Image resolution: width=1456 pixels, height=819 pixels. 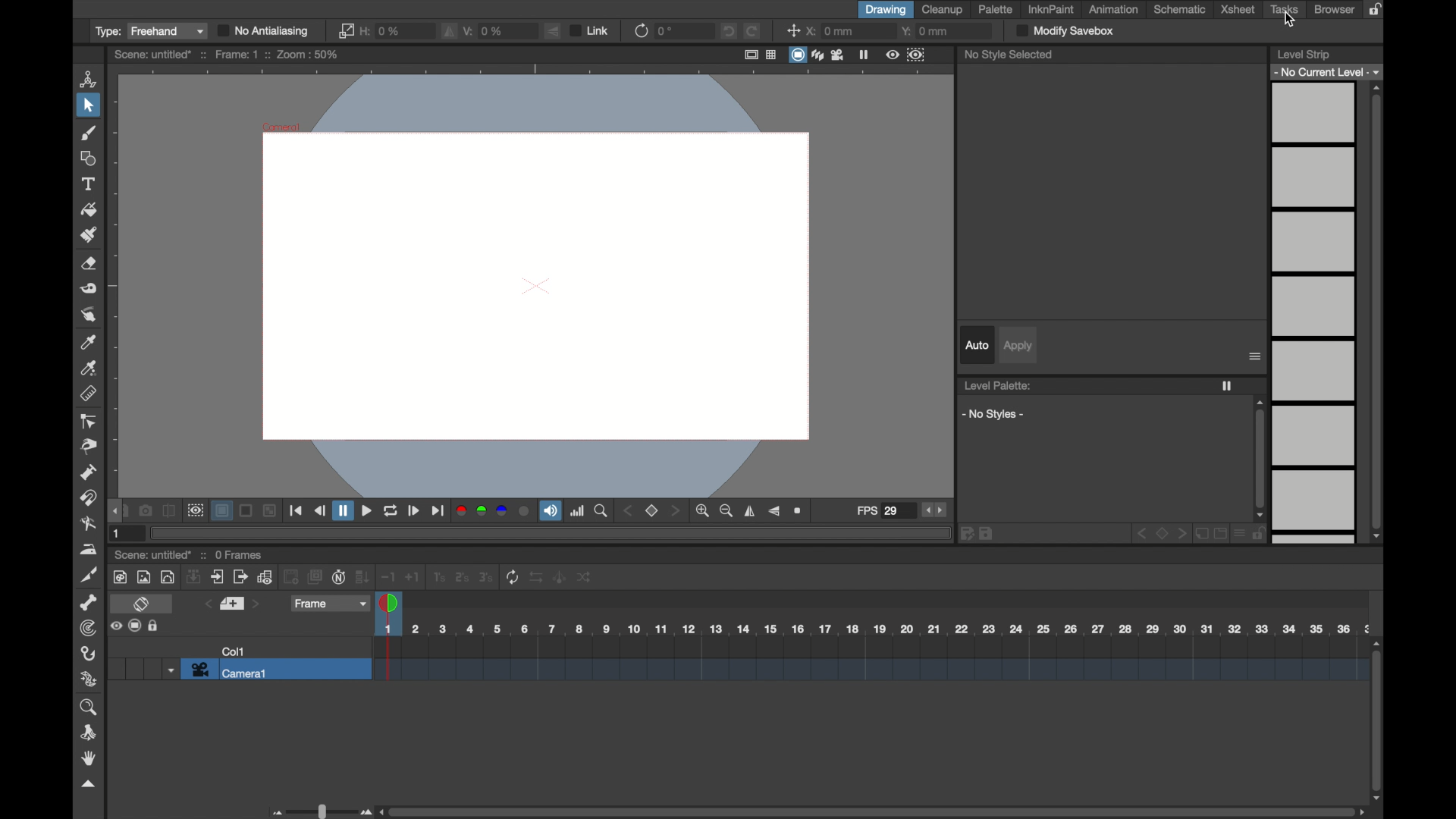 I want to click on animation, so click(x=1112, y=9).